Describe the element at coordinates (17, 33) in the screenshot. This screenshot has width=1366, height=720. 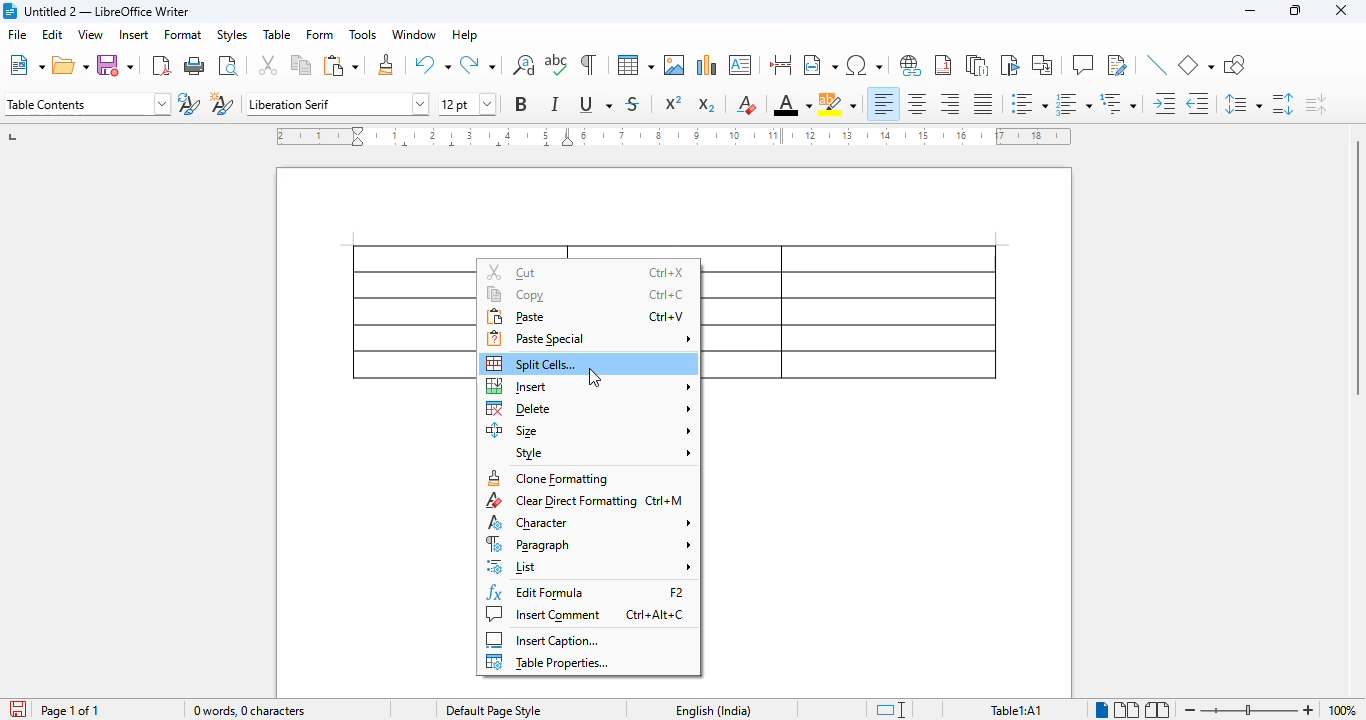
I see `file` at that location.